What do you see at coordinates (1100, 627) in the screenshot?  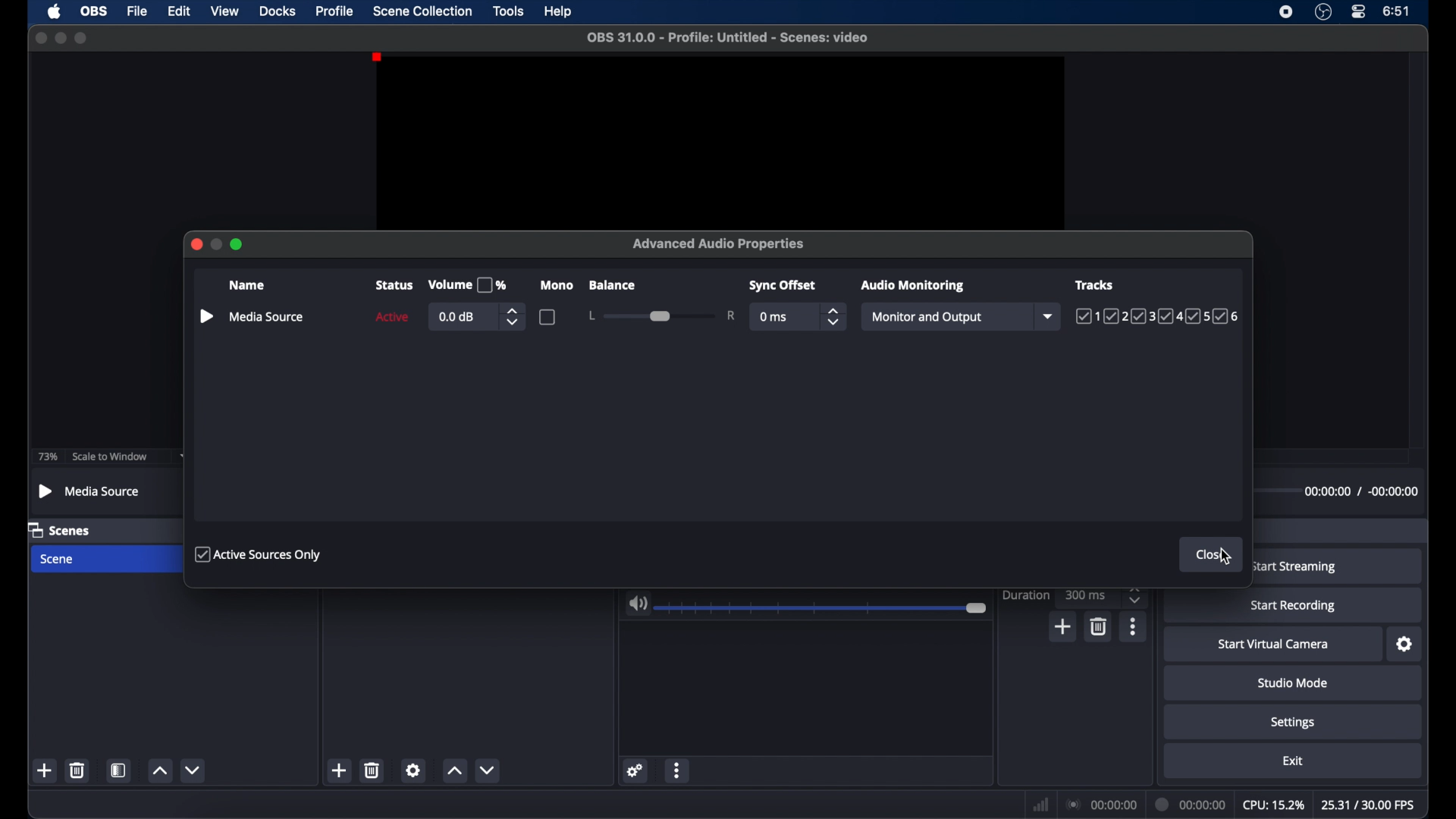 I see `delete` at bounding box center [1100, 627].